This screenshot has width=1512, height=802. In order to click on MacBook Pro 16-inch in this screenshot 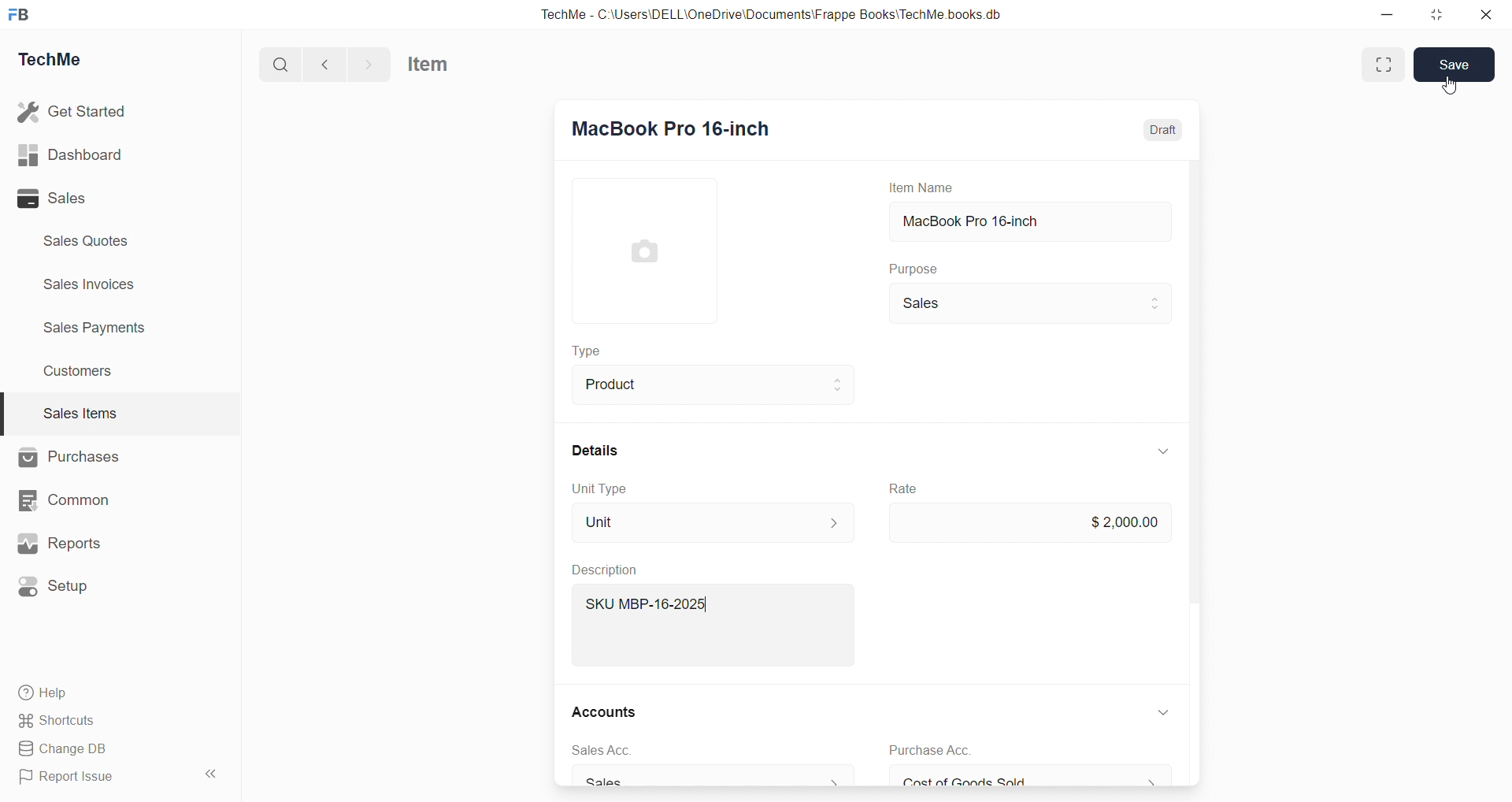, I will do `click(1028, 221)`.